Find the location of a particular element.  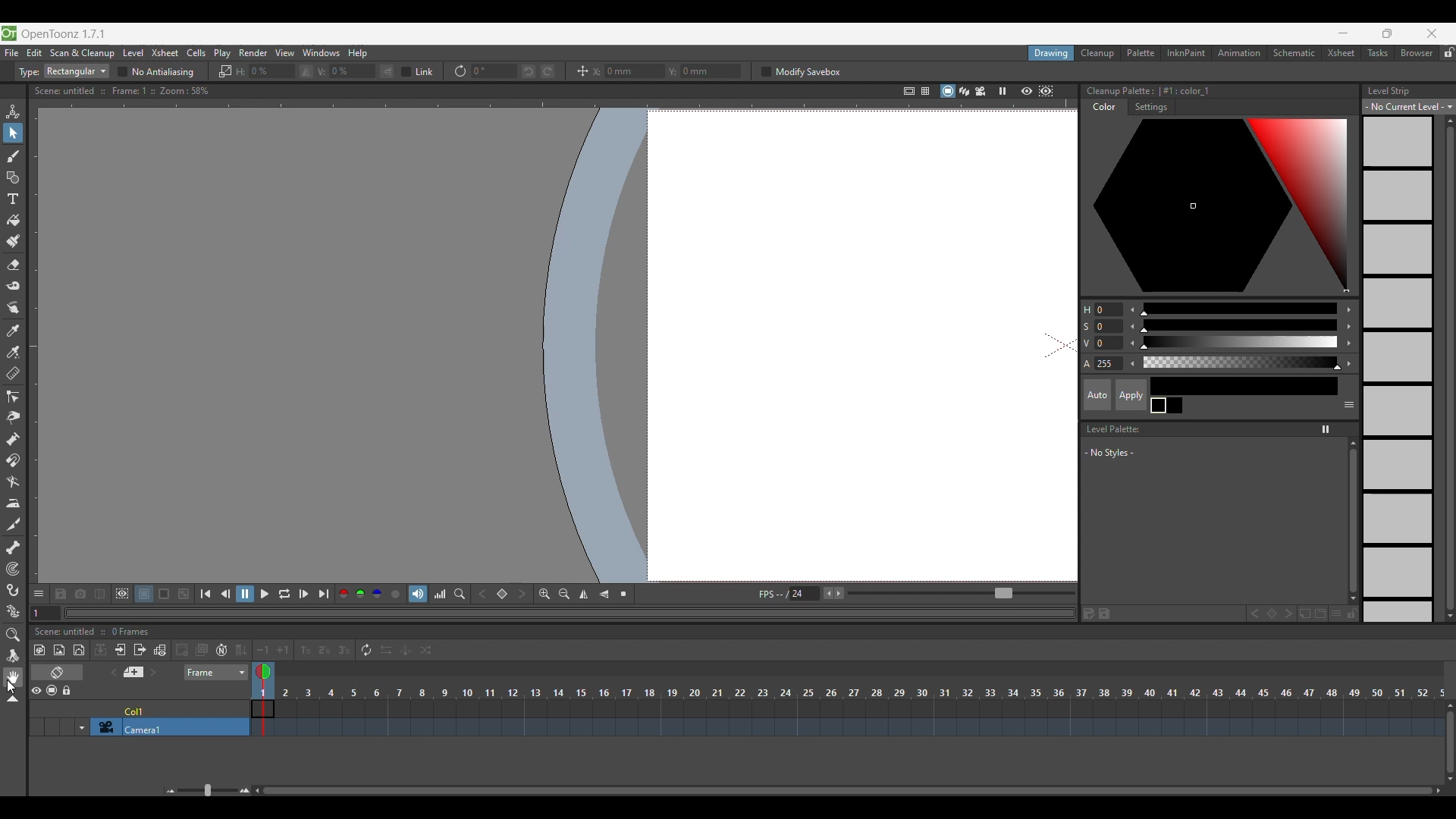

Selection tool is located at coordinates (12, 133).